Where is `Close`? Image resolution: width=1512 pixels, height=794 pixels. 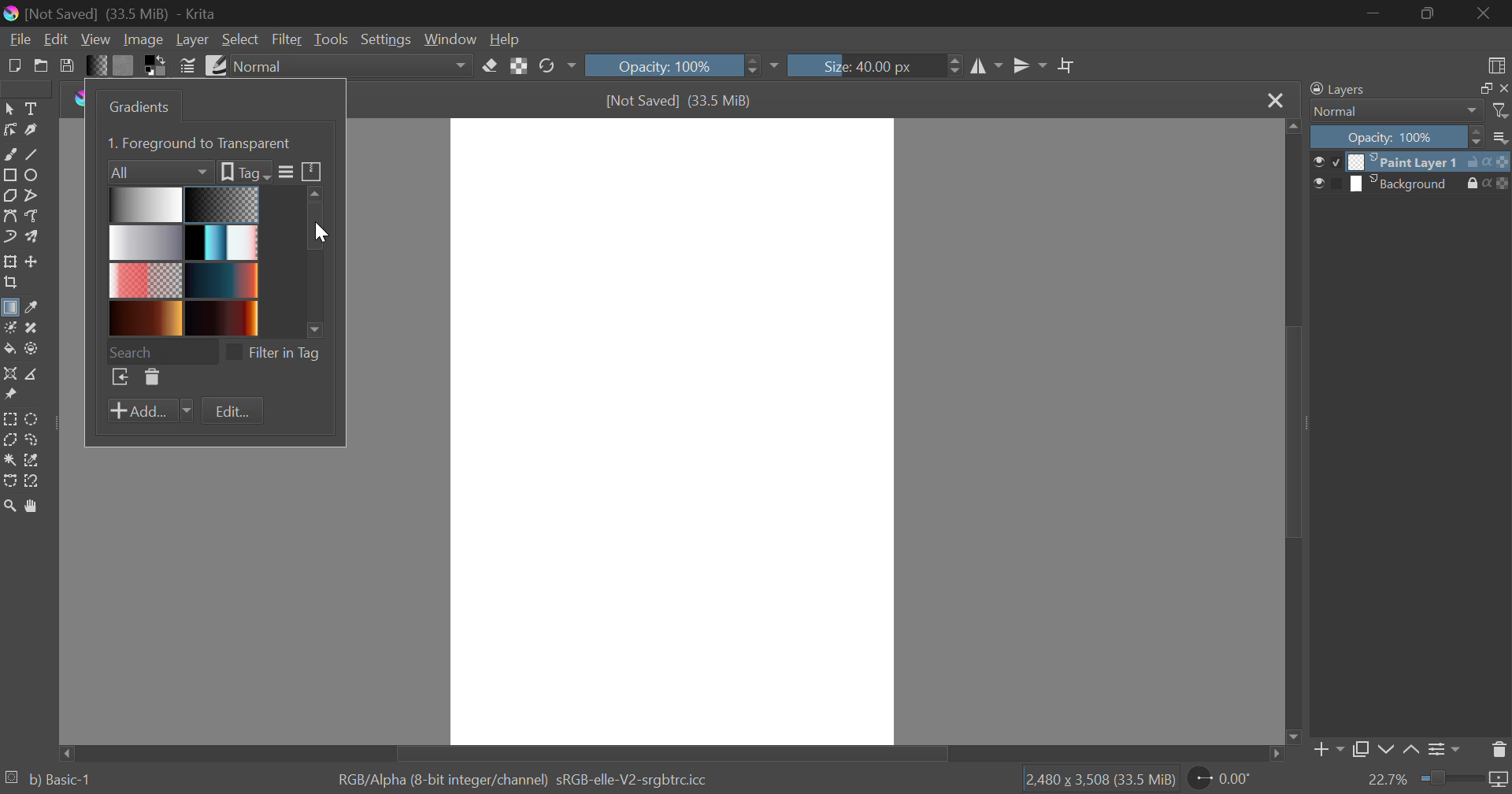 Close is located at coordinates (1274, 100).